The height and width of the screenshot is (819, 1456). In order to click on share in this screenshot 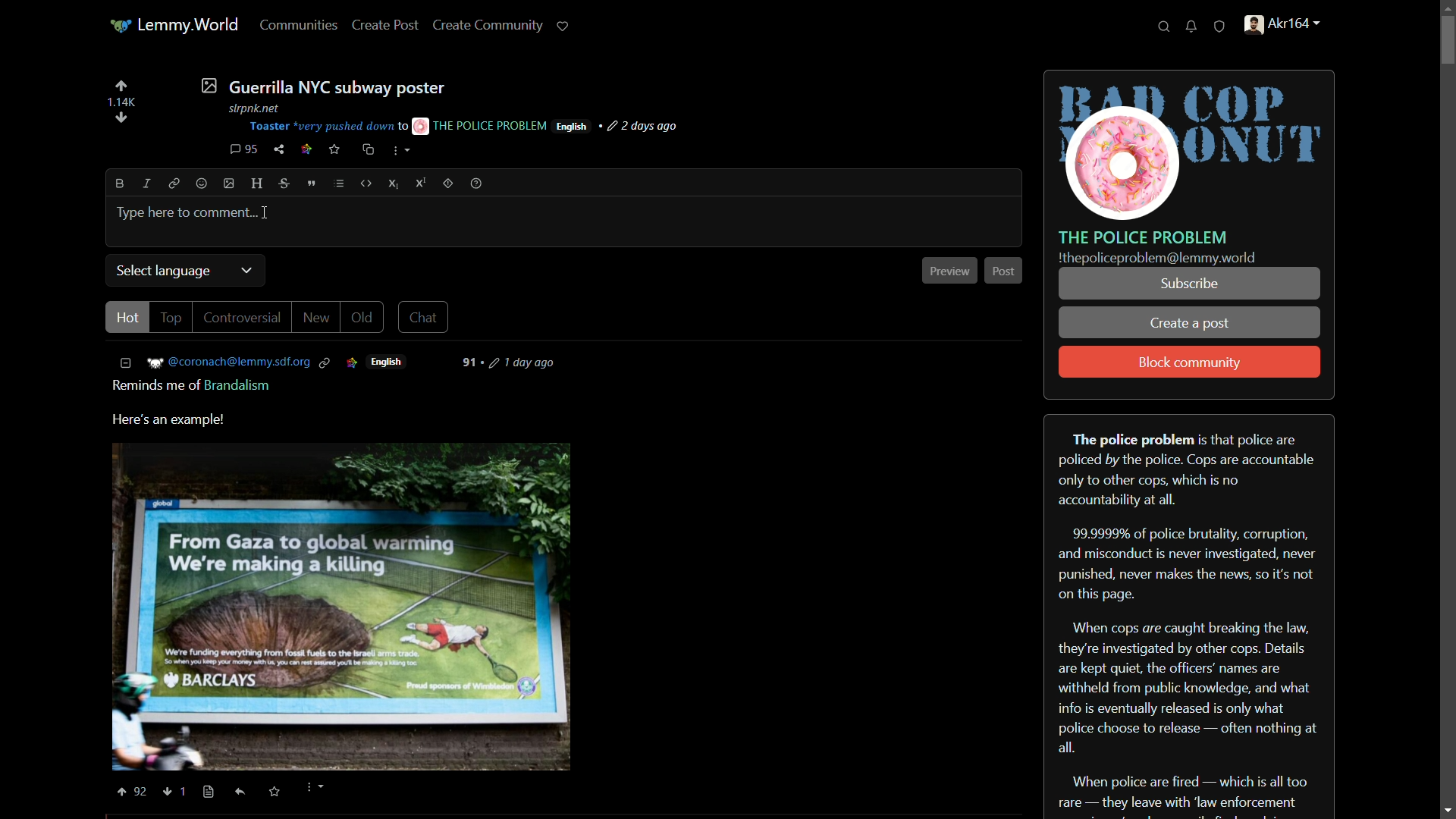, I will do `click(279, 149)`.